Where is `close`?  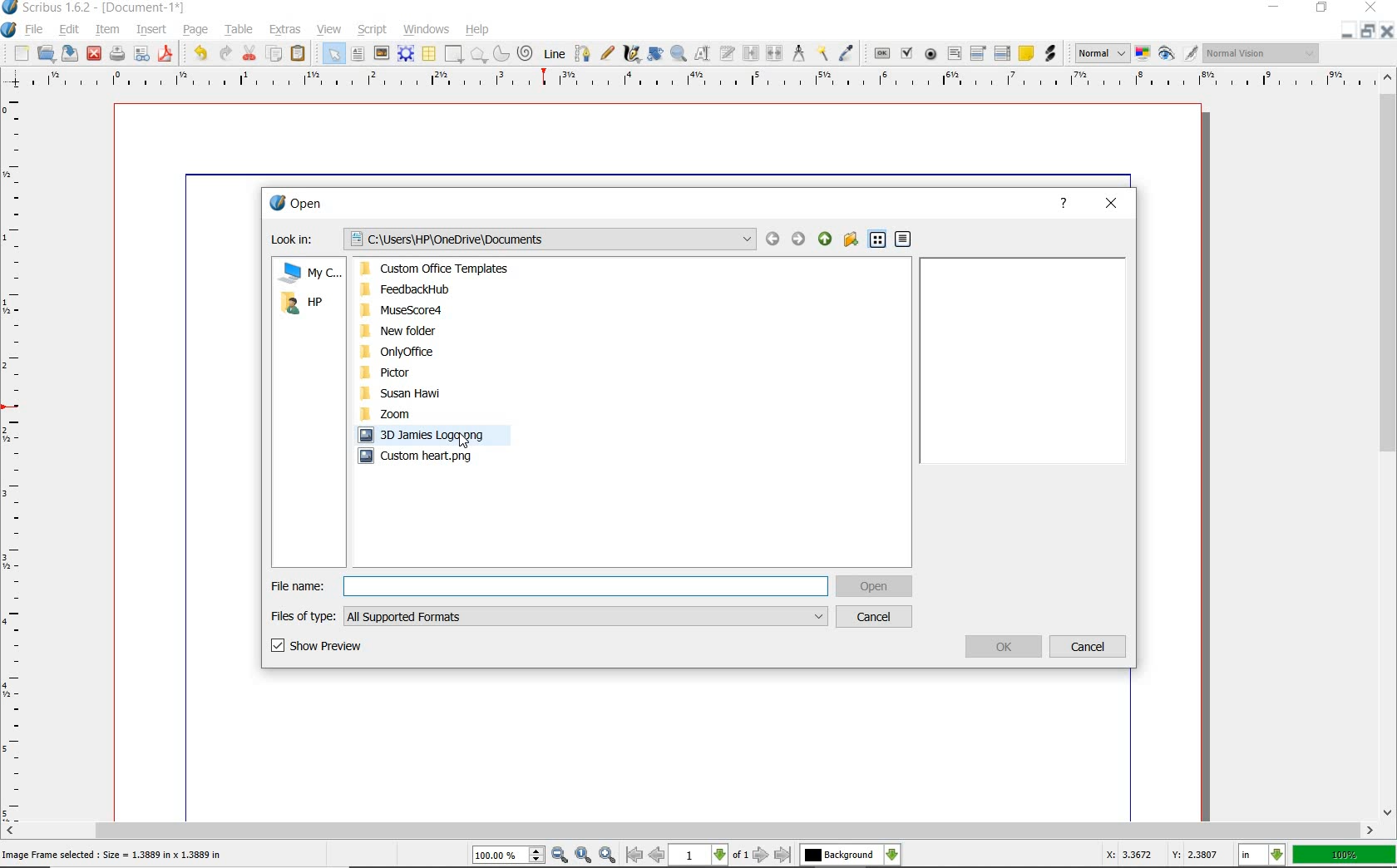 close is located at coordinates (94, 53).